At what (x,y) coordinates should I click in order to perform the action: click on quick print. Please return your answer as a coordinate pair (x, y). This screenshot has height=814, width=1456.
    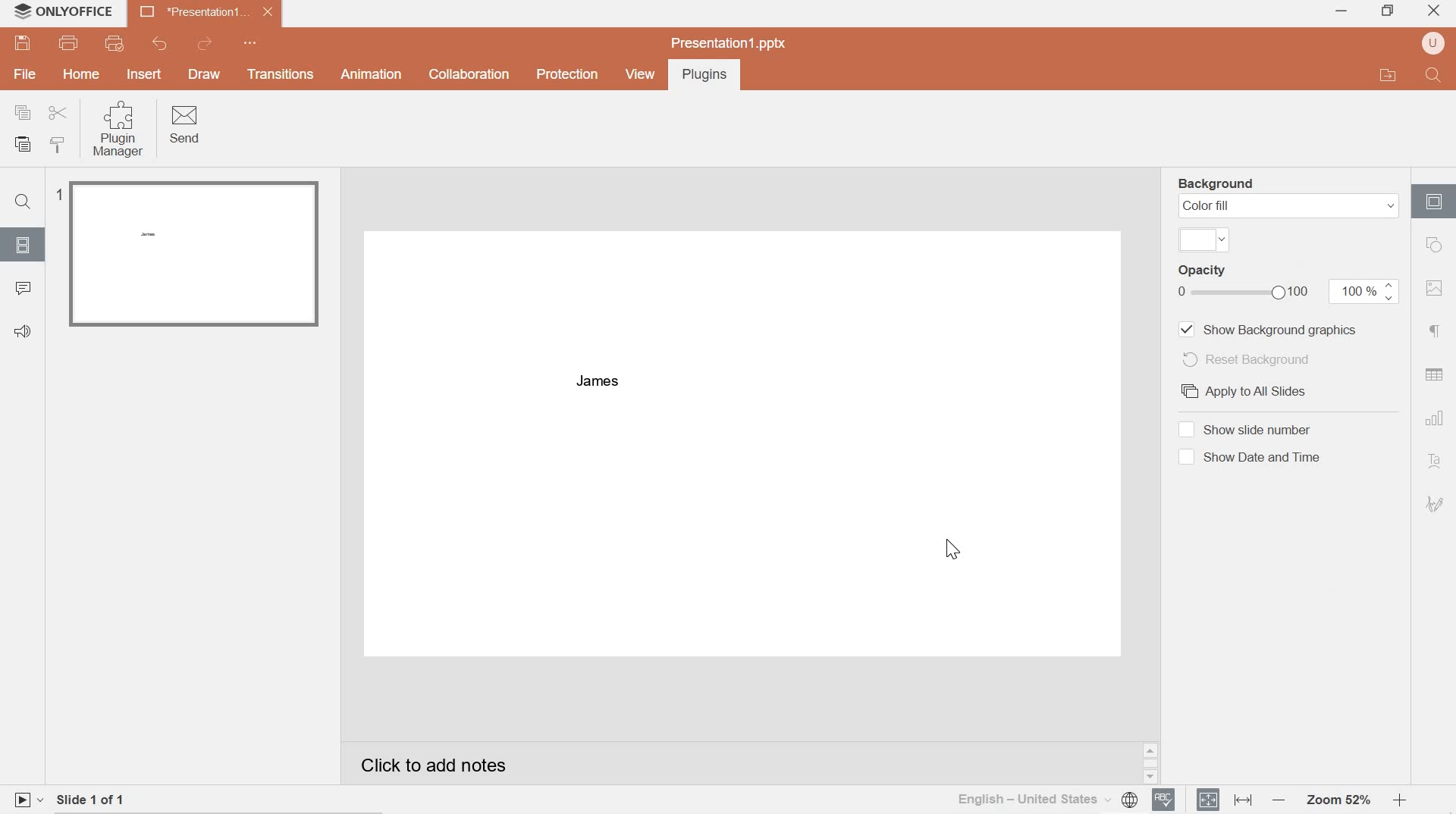
    Looking at the image, I should click on (120, 44).